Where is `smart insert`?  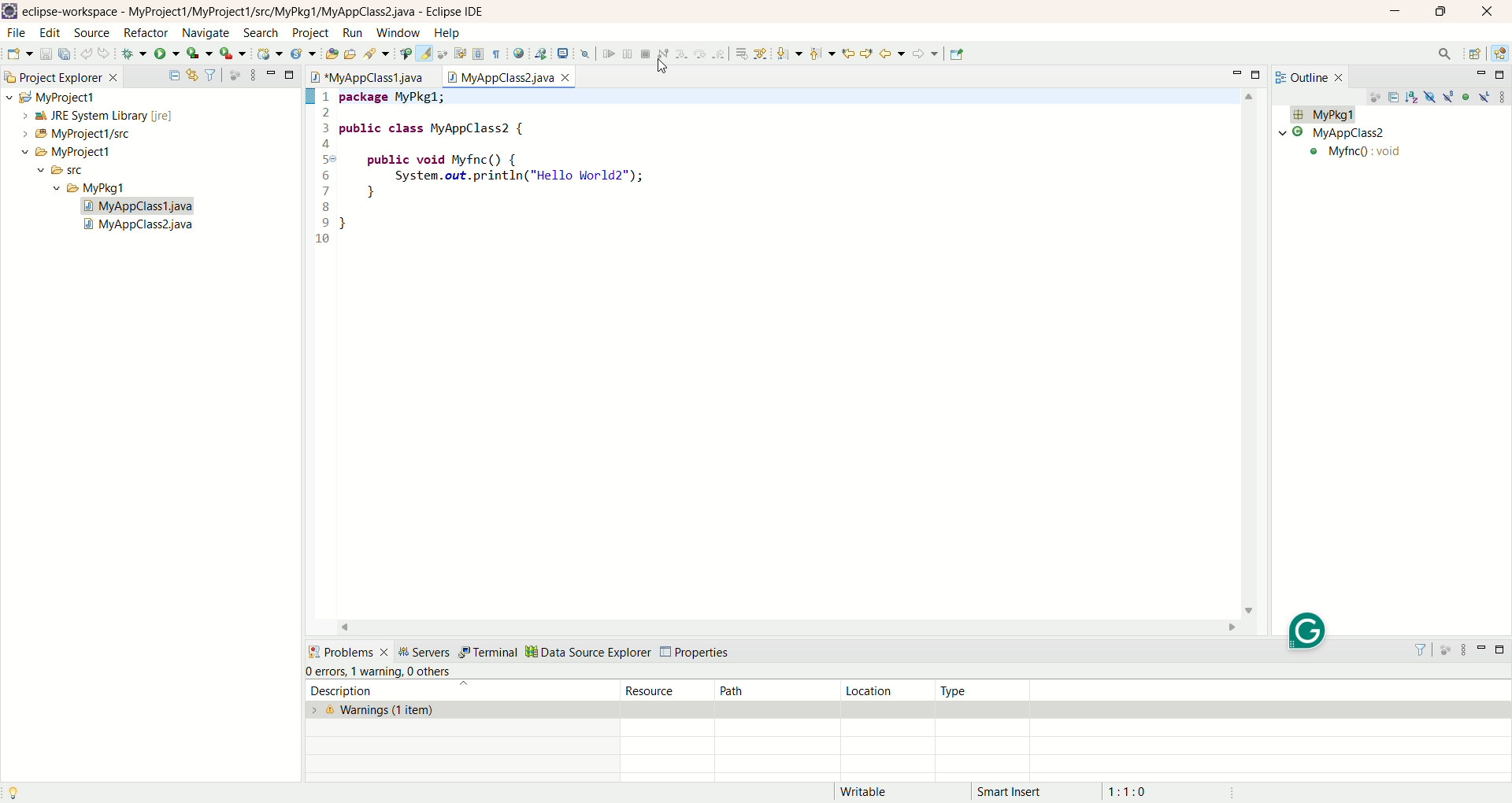
smart insert is located at coordinates (1021, 791).